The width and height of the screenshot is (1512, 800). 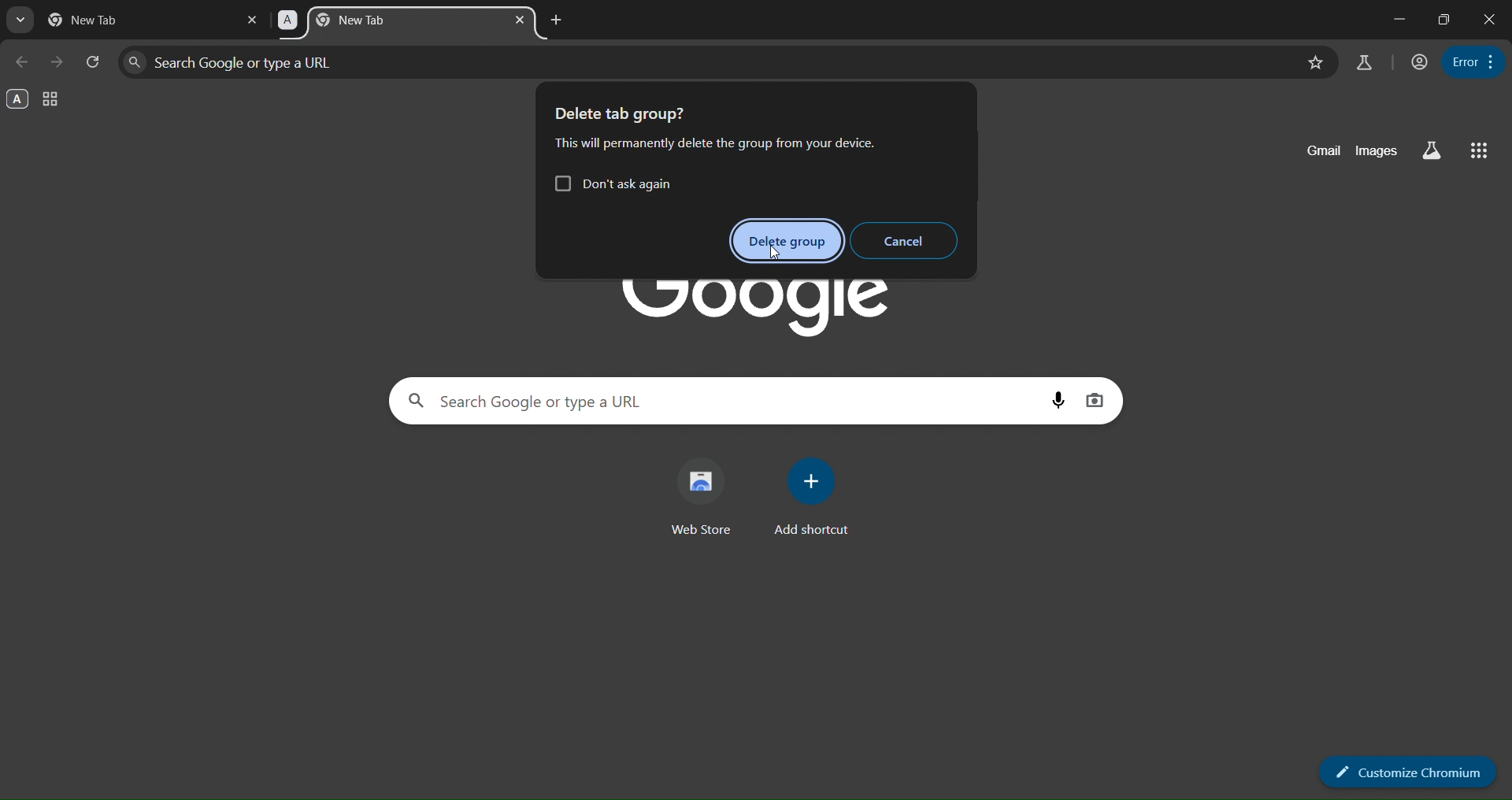 I want to click on google apps, so click(x=1478, y=151).